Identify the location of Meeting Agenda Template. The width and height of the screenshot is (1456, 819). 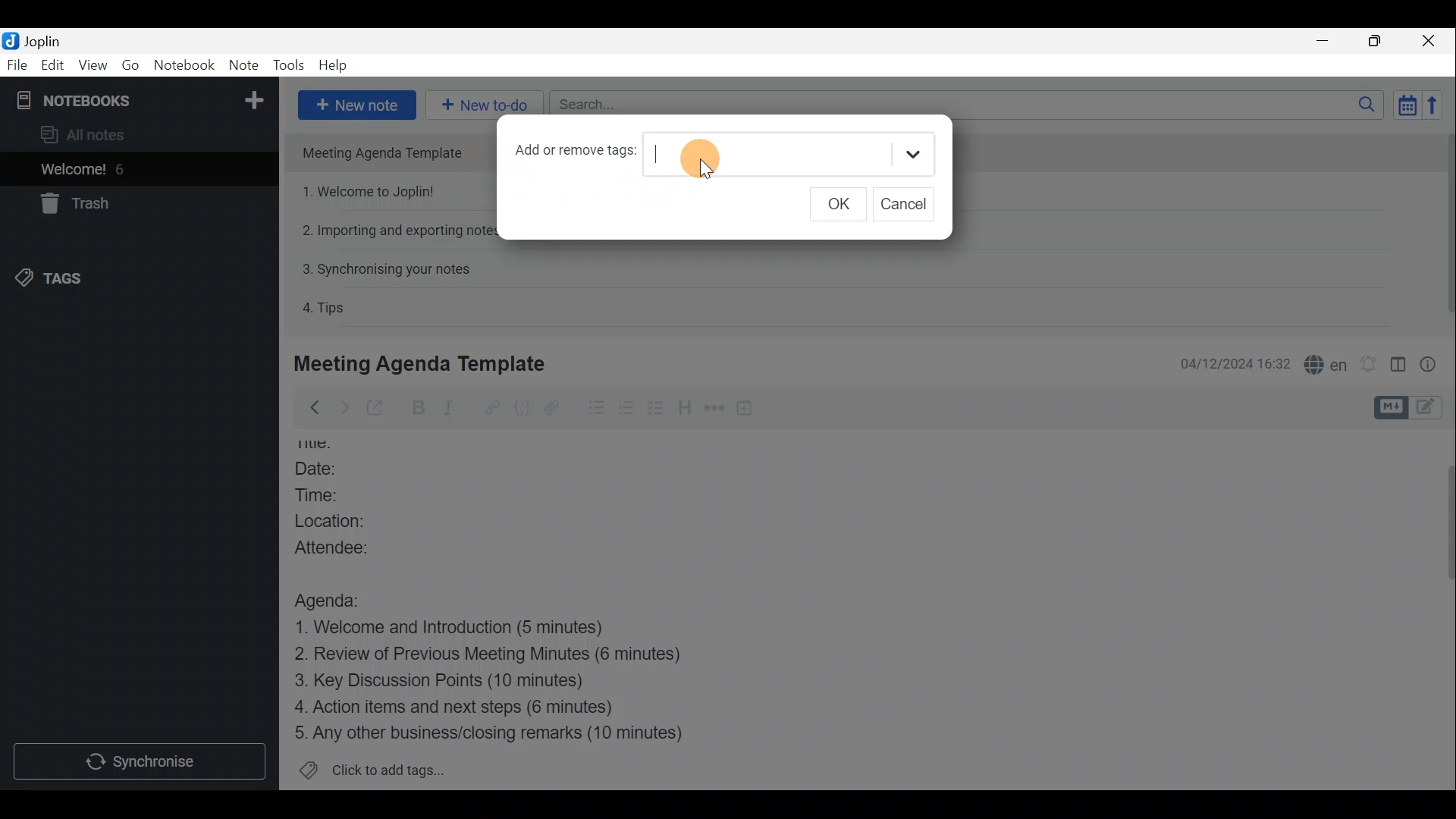
(388, 152).